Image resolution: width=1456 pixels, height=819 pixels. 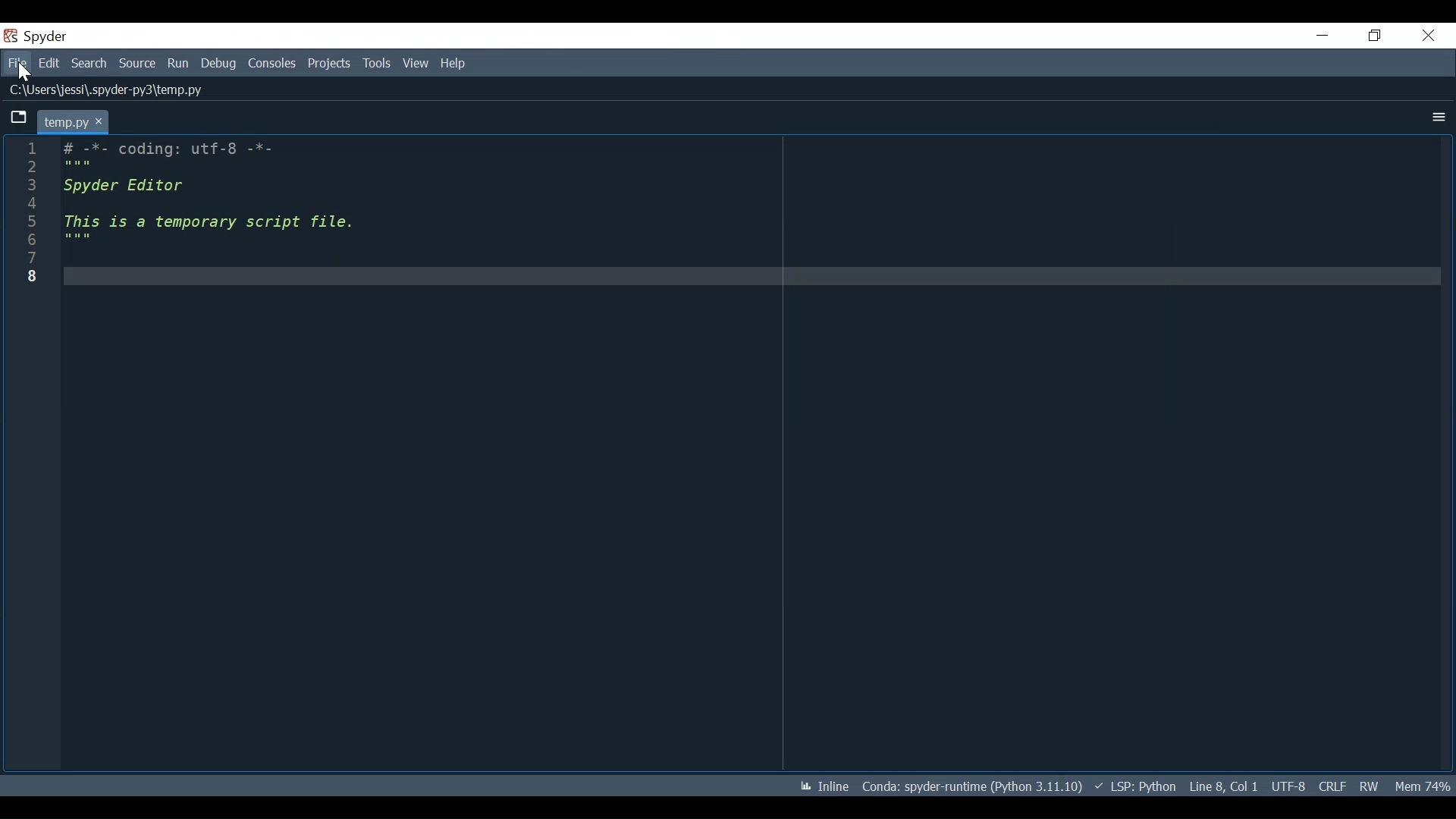 I want to click on Inline, so click(x=821, y=785).